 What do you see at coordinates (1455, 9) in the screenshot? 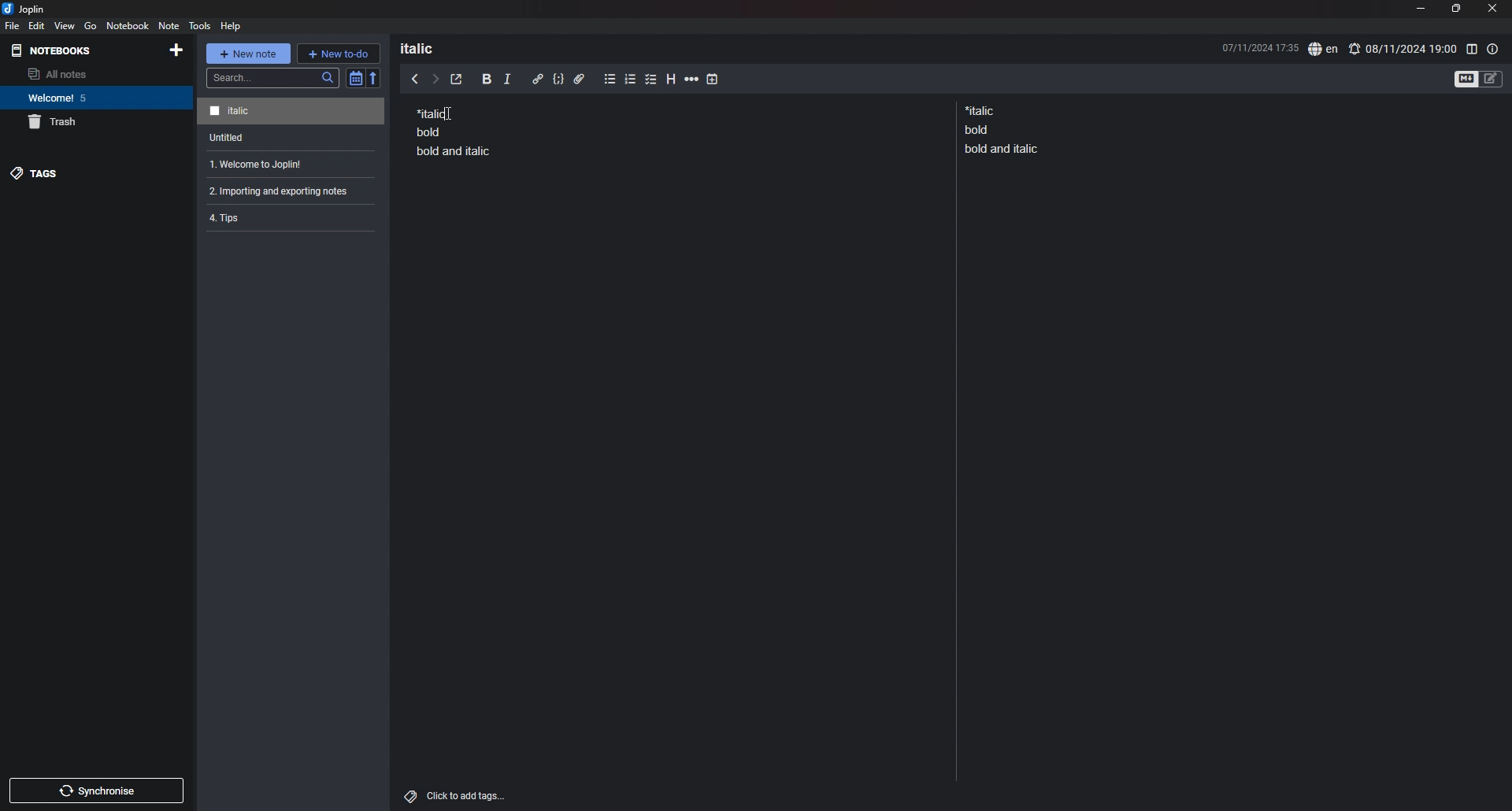
I see `resize` at bounding box center [1455, 9].